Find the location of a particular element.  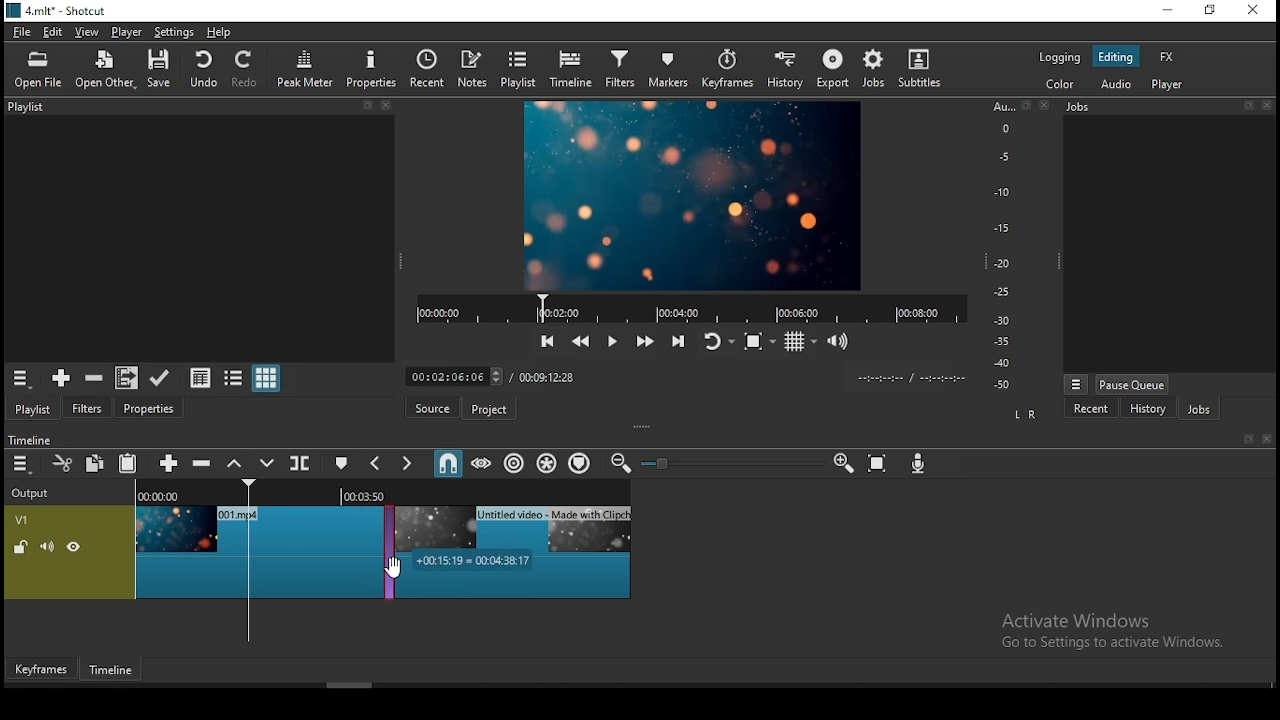

output is located at coordinates (33, 494).